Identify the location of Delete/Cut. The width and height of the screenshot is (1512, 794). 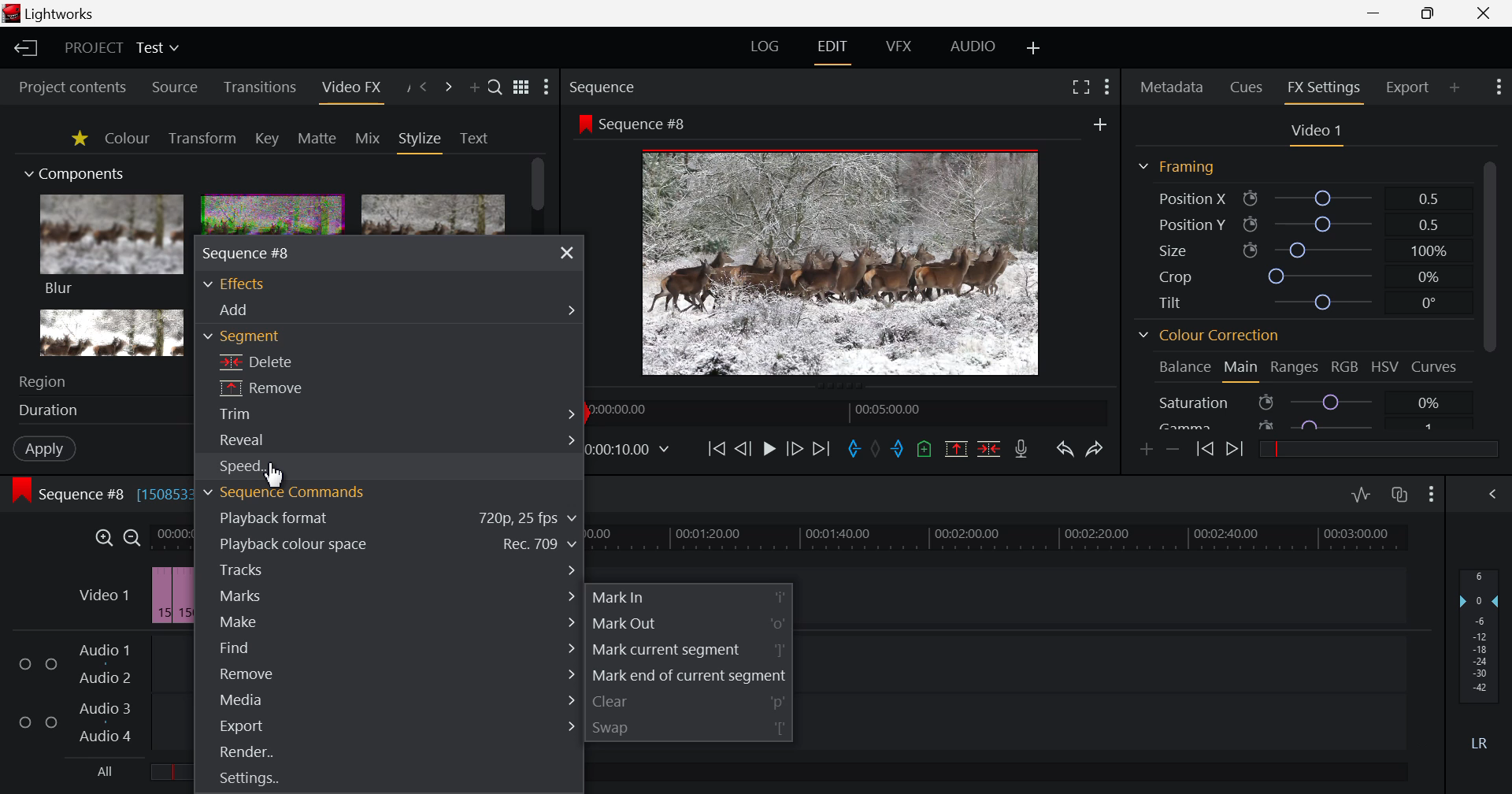
(989, 449).